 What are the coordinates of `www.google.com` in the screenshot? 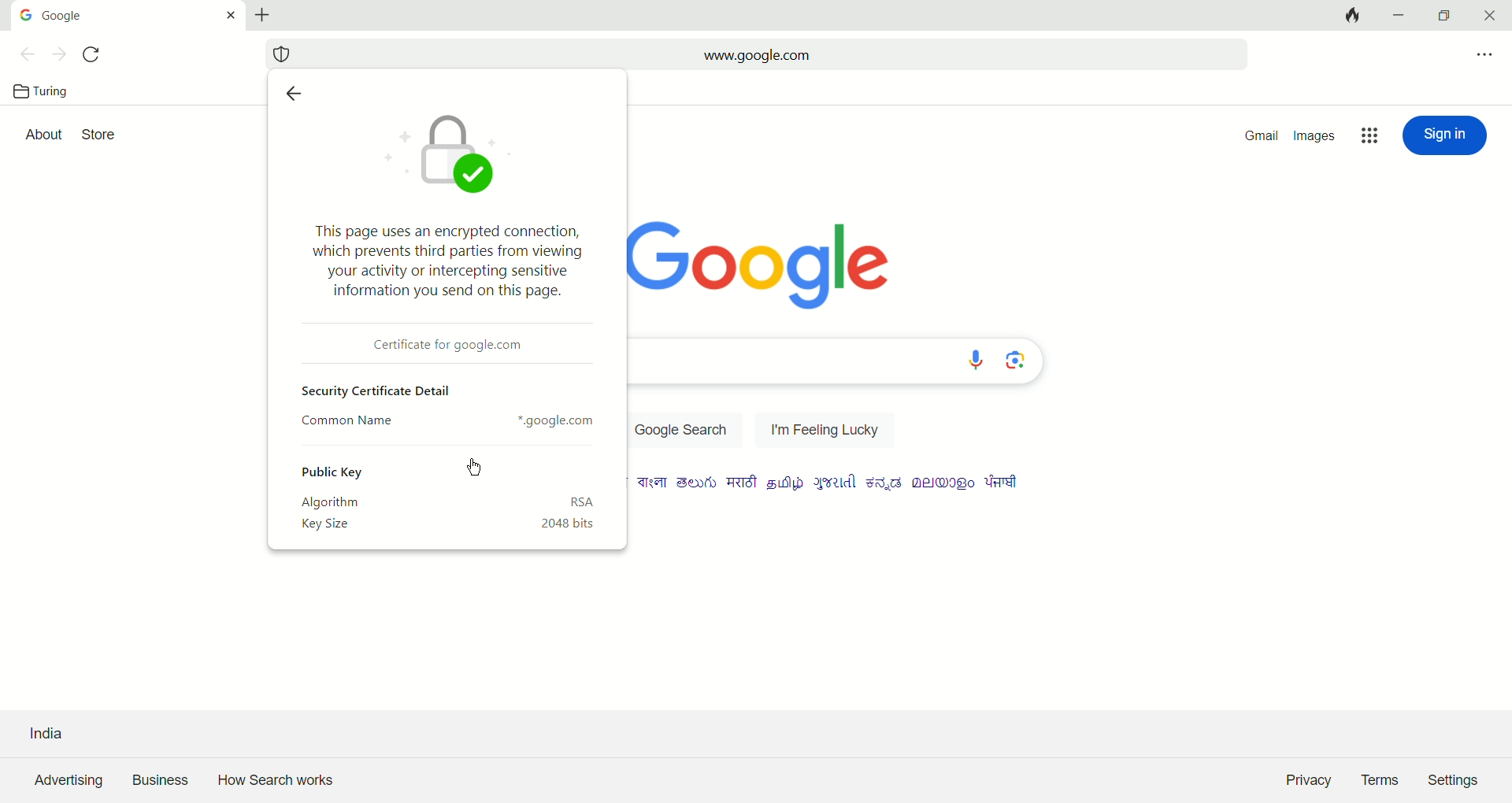 It's located at (755, 55).